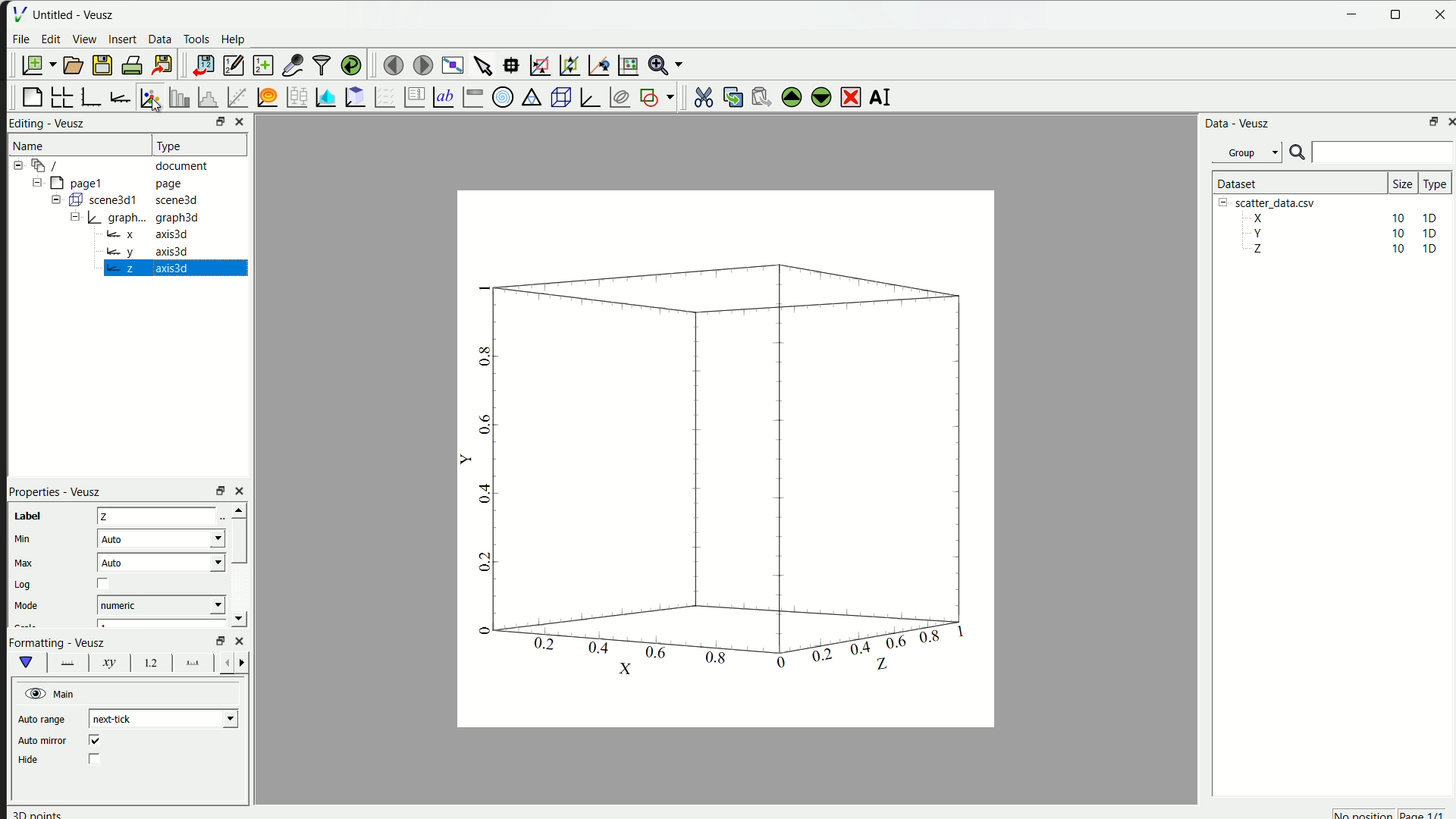  Describe the element at coordinates (1238, 178) in the screenshot. I see `| Dataset` at that location.